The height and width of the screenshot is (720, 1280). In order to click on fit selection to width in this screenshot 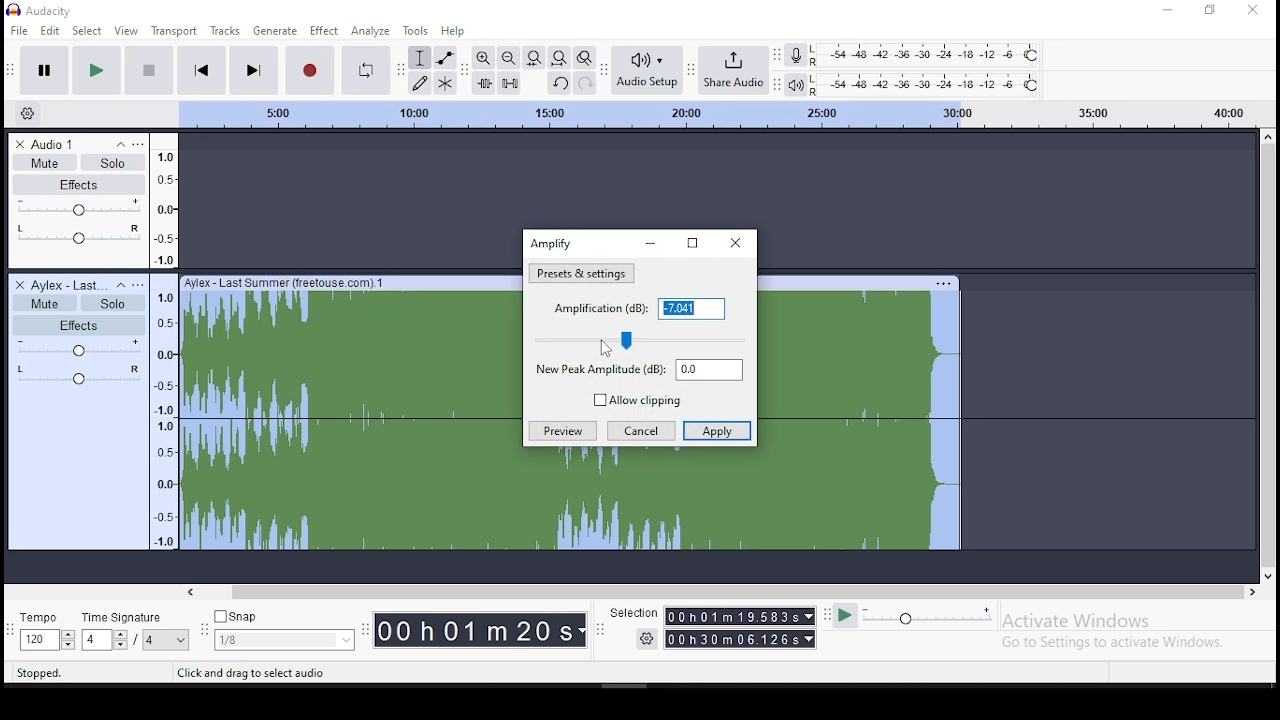, I will do `click(533, 57)`.